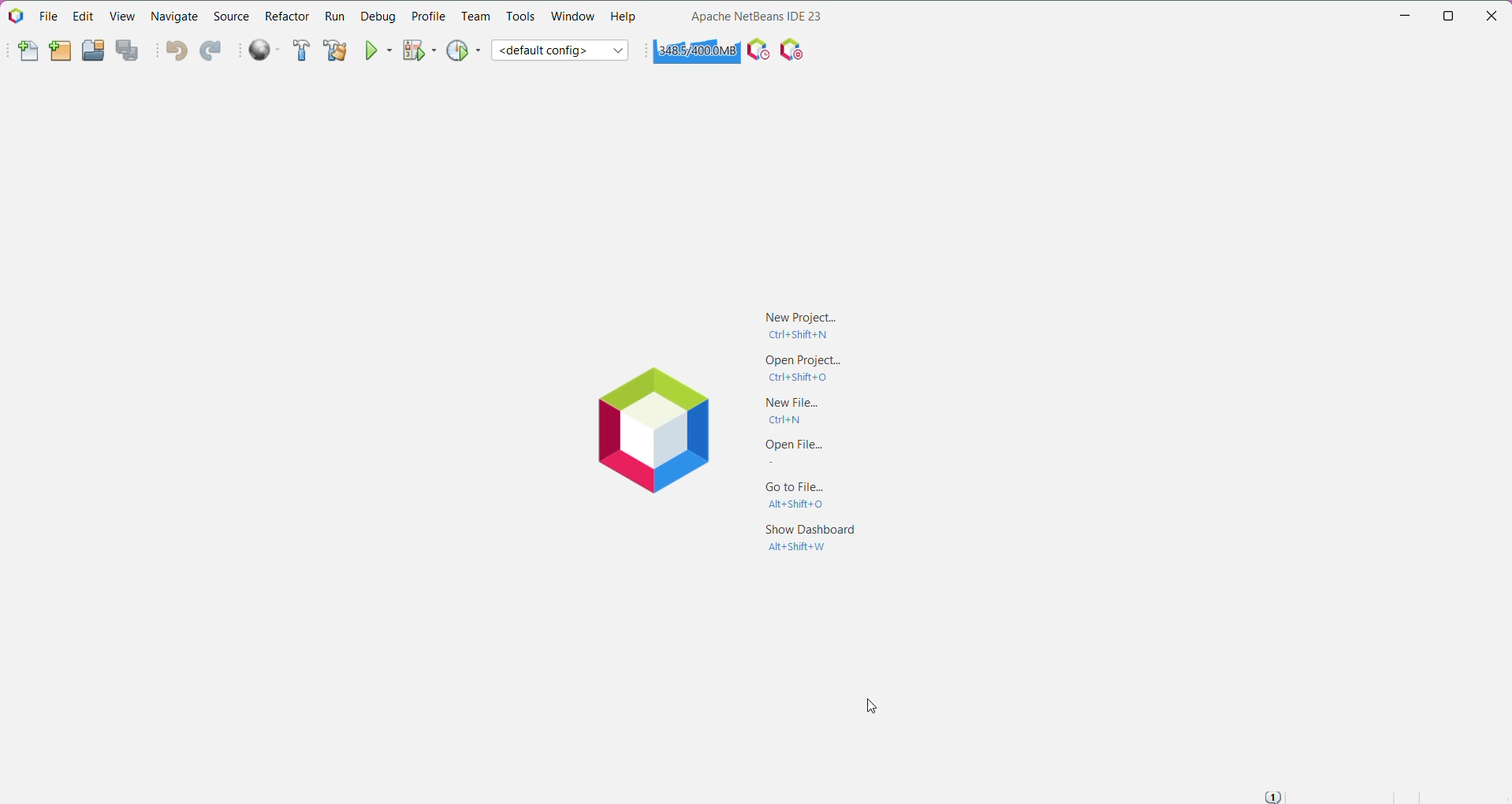 Image resolution: width=1512 pixels, height=804 pixels. Describe the element at coordinates (334, 51) in the screenshot. I see `Clean and Build Project` at that location.